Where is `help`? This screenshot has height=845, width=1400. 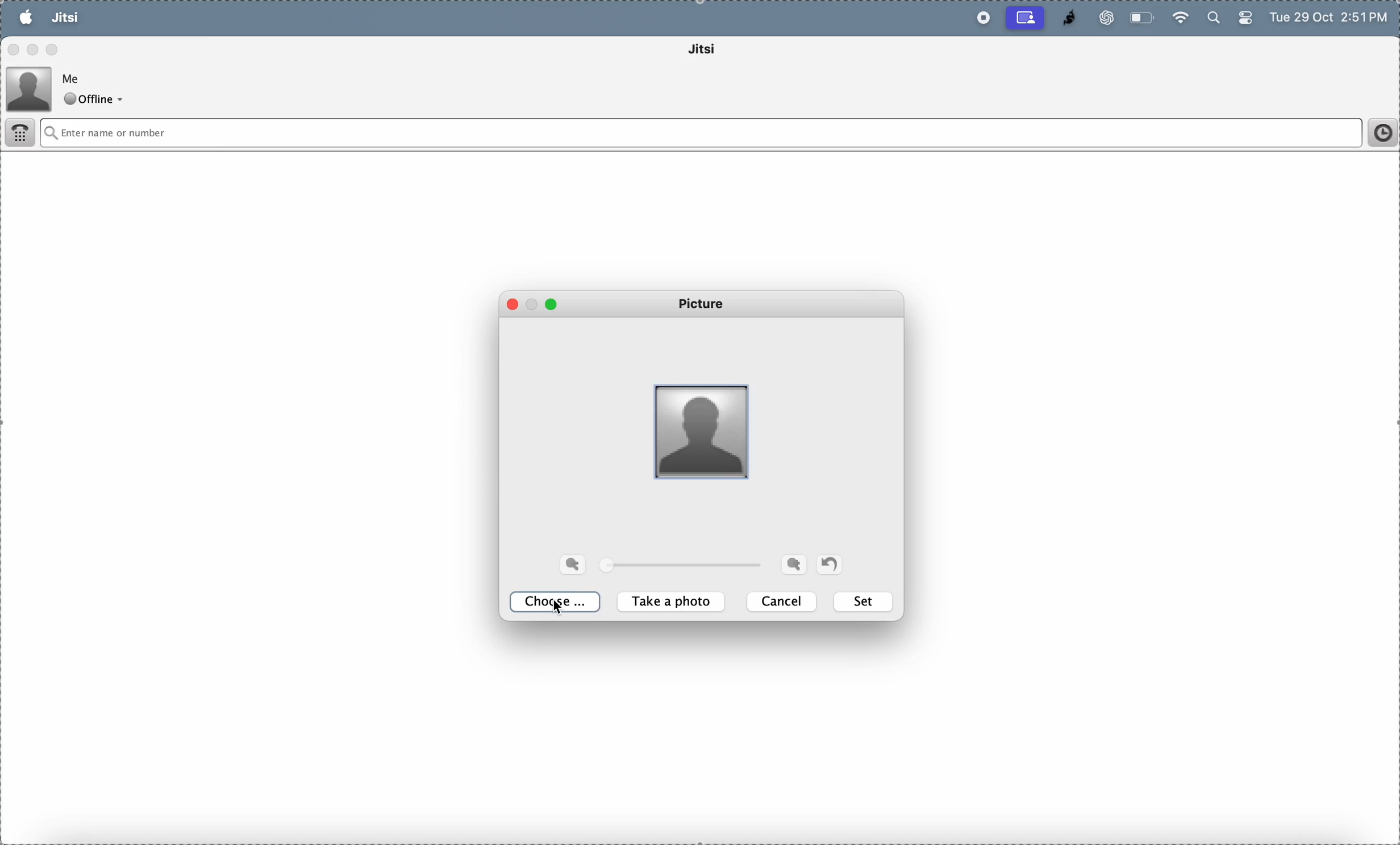 help is located at coordinates (205, 18).